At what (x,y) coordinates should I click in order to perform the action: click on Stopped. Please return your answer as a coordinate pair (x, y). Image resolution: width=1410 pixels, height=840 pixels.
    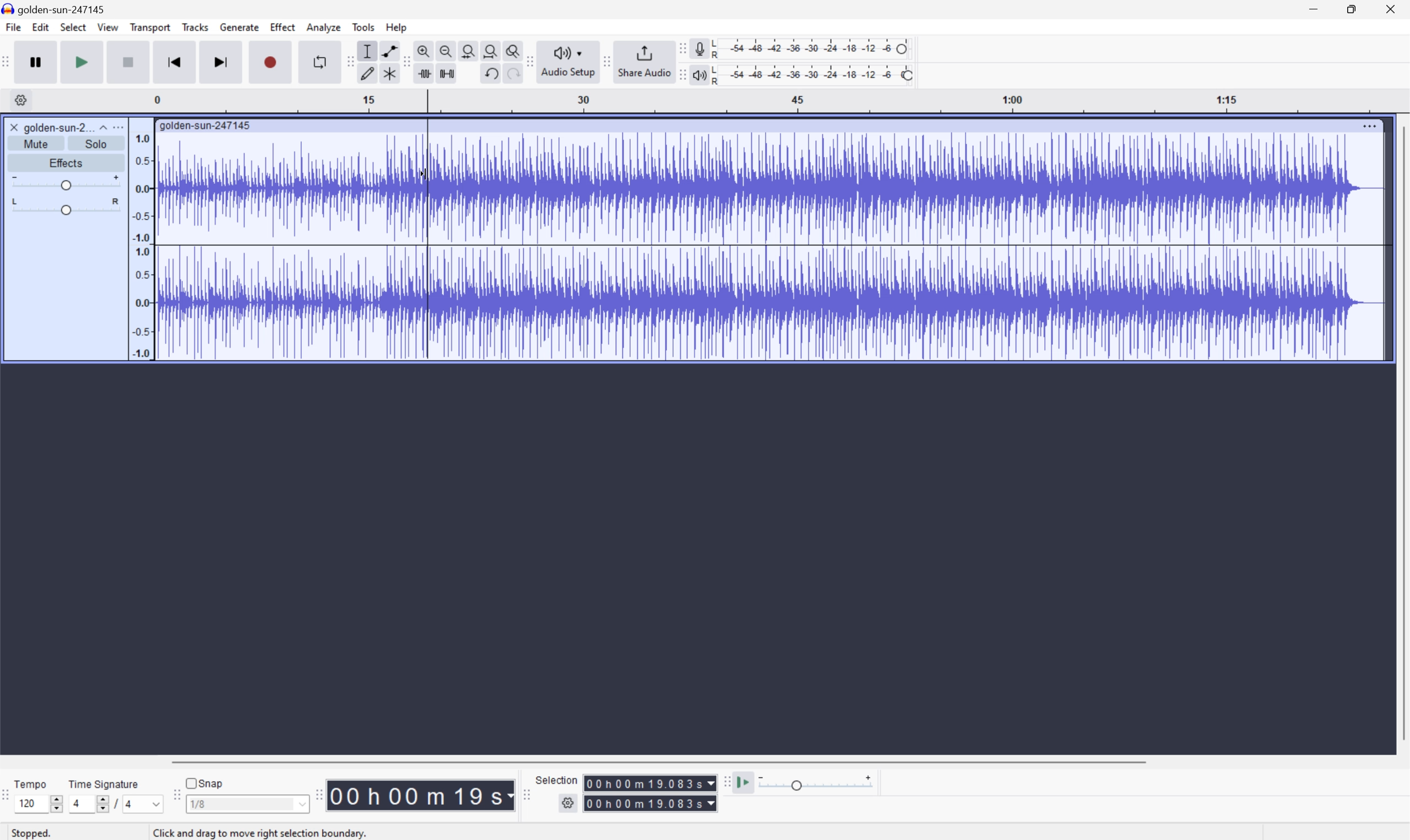
    Looking at the image, I should click on (37, 834).